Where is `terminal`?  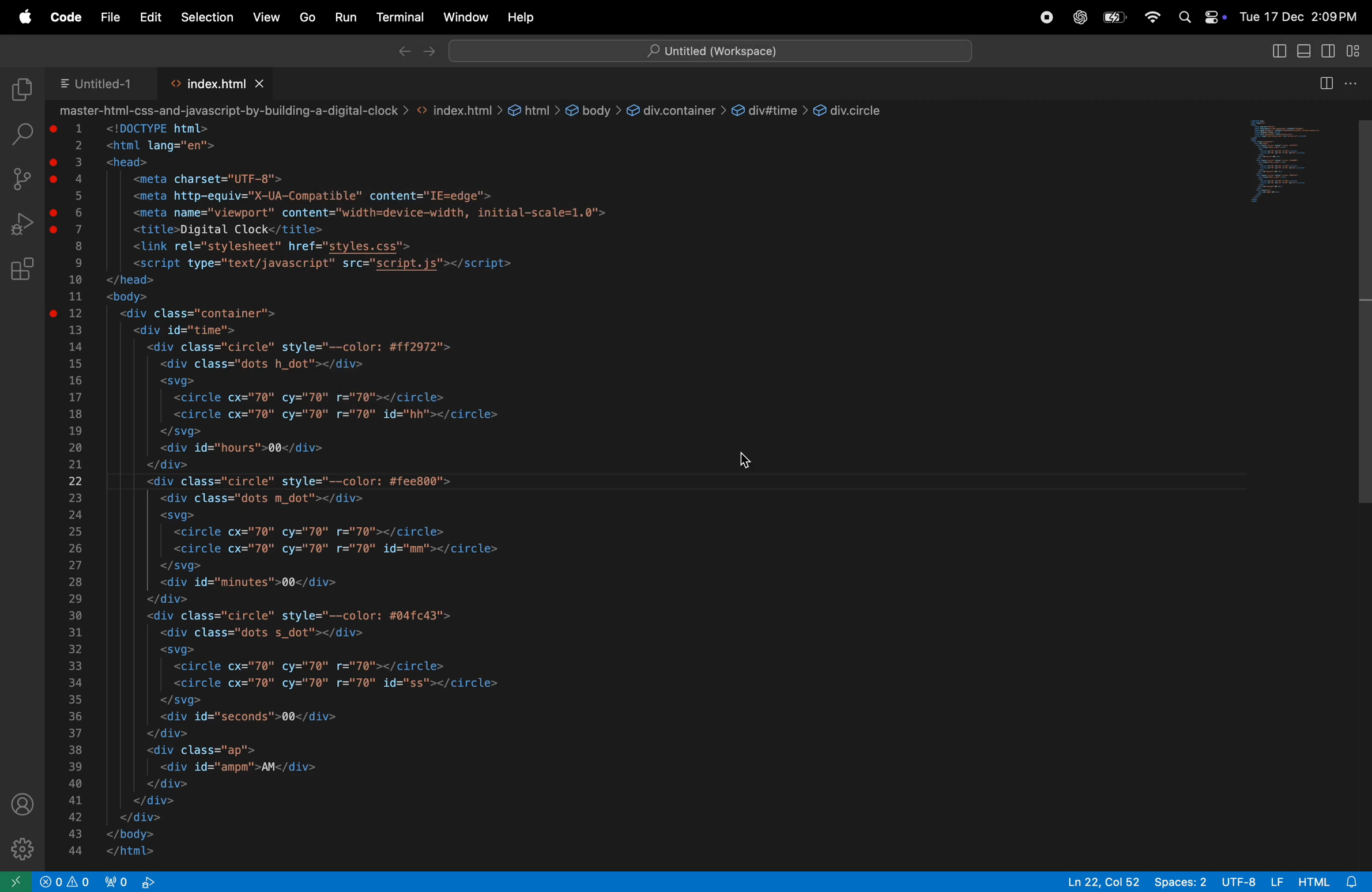 terminal is located at coordinates (400, 17).